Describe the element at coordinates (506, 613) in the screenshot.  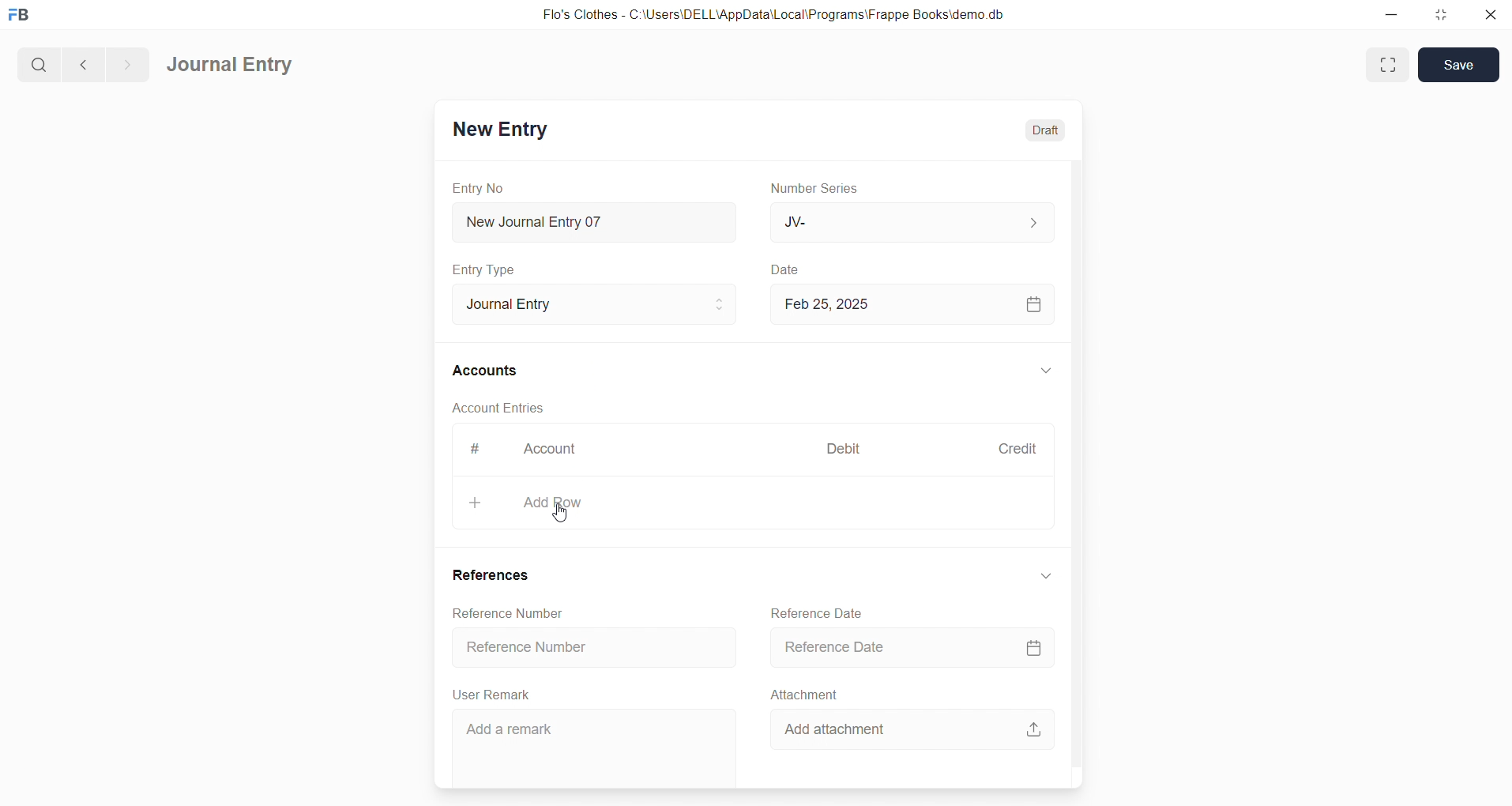
I see `Reference Number` at that location.